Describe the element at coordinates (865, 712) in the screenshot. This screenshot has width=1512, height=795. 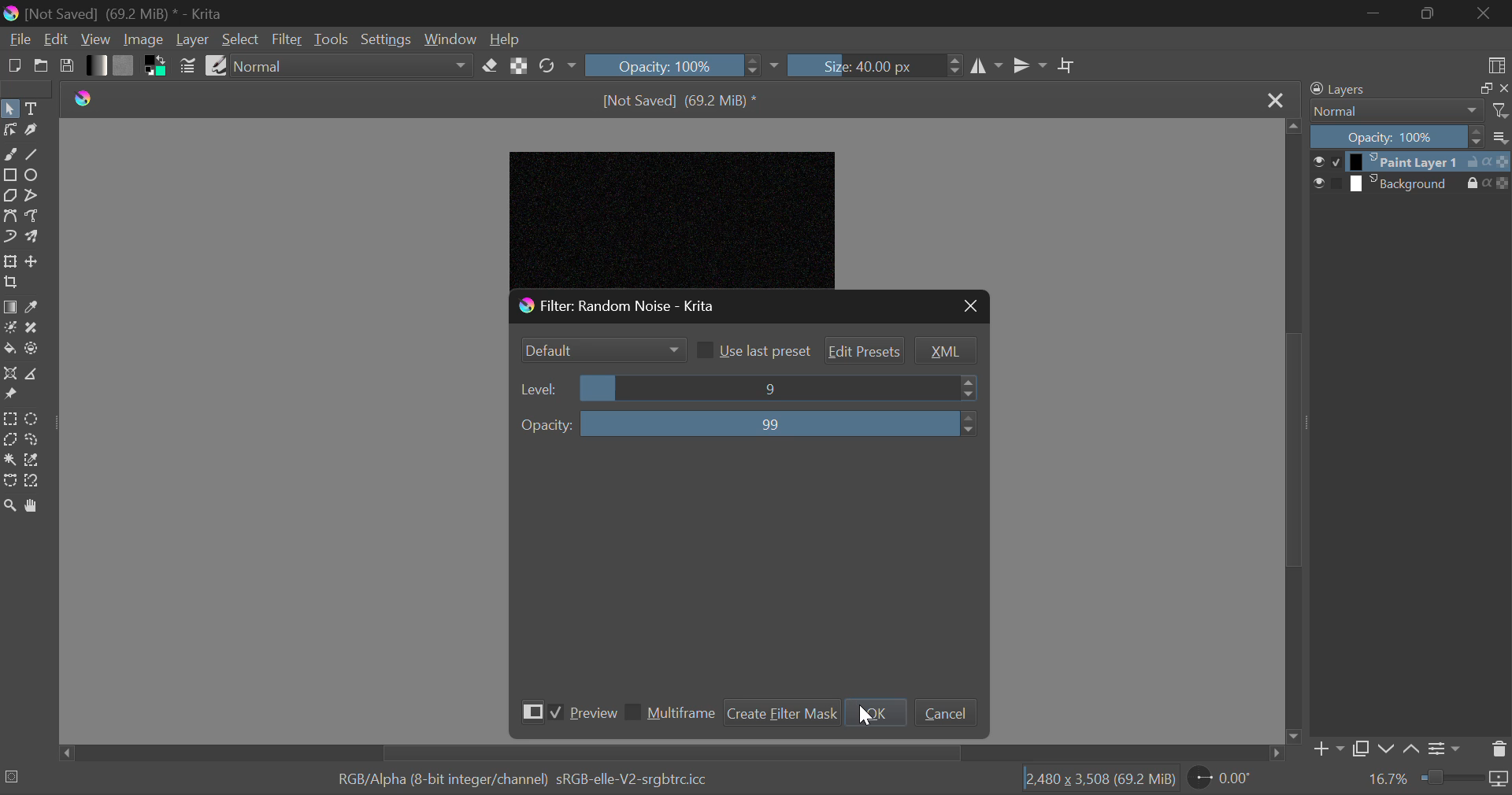
I see `Cursor on OK` at that location.